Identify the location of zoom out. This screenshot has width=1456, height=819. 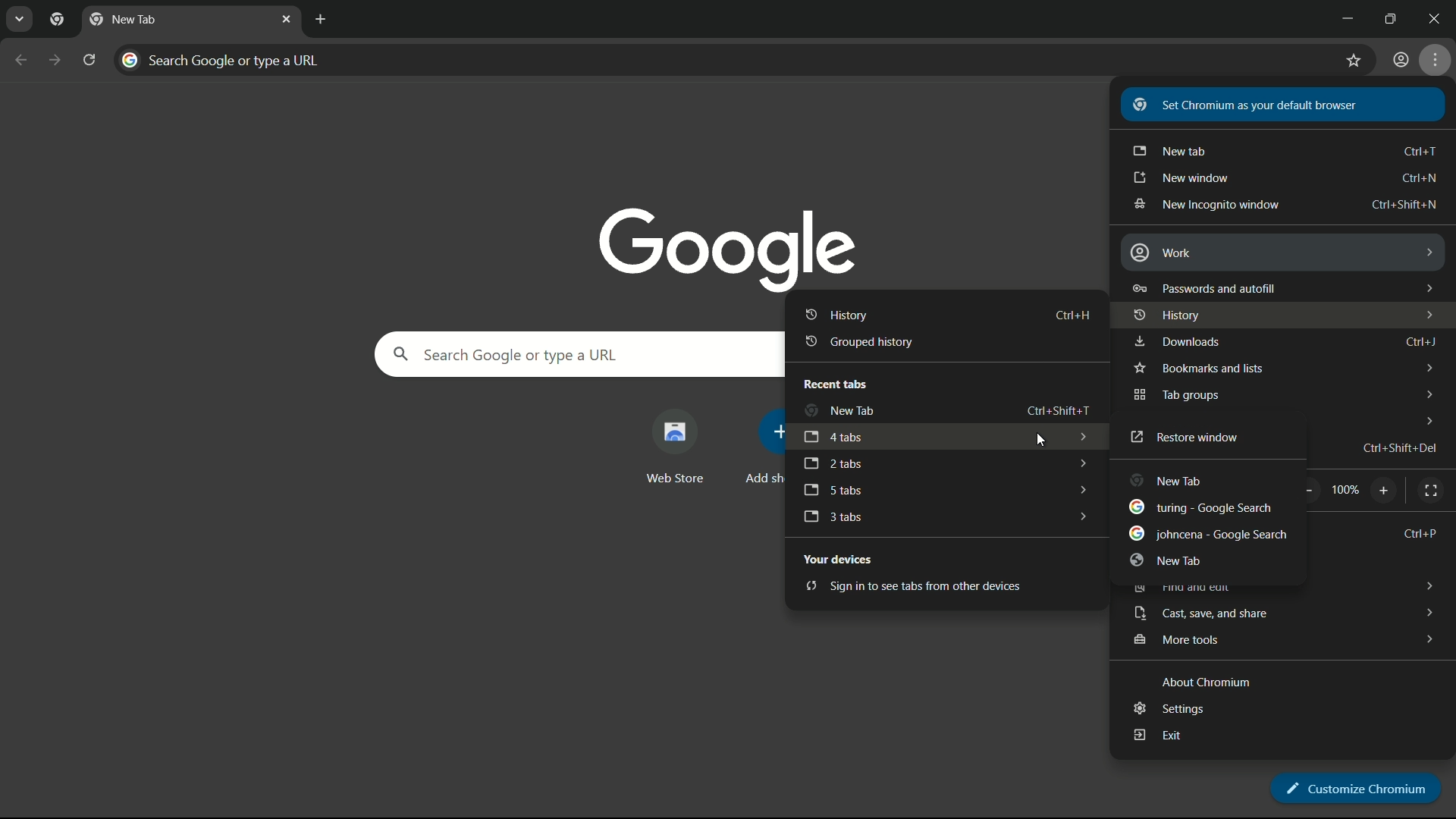
(1307, 492).